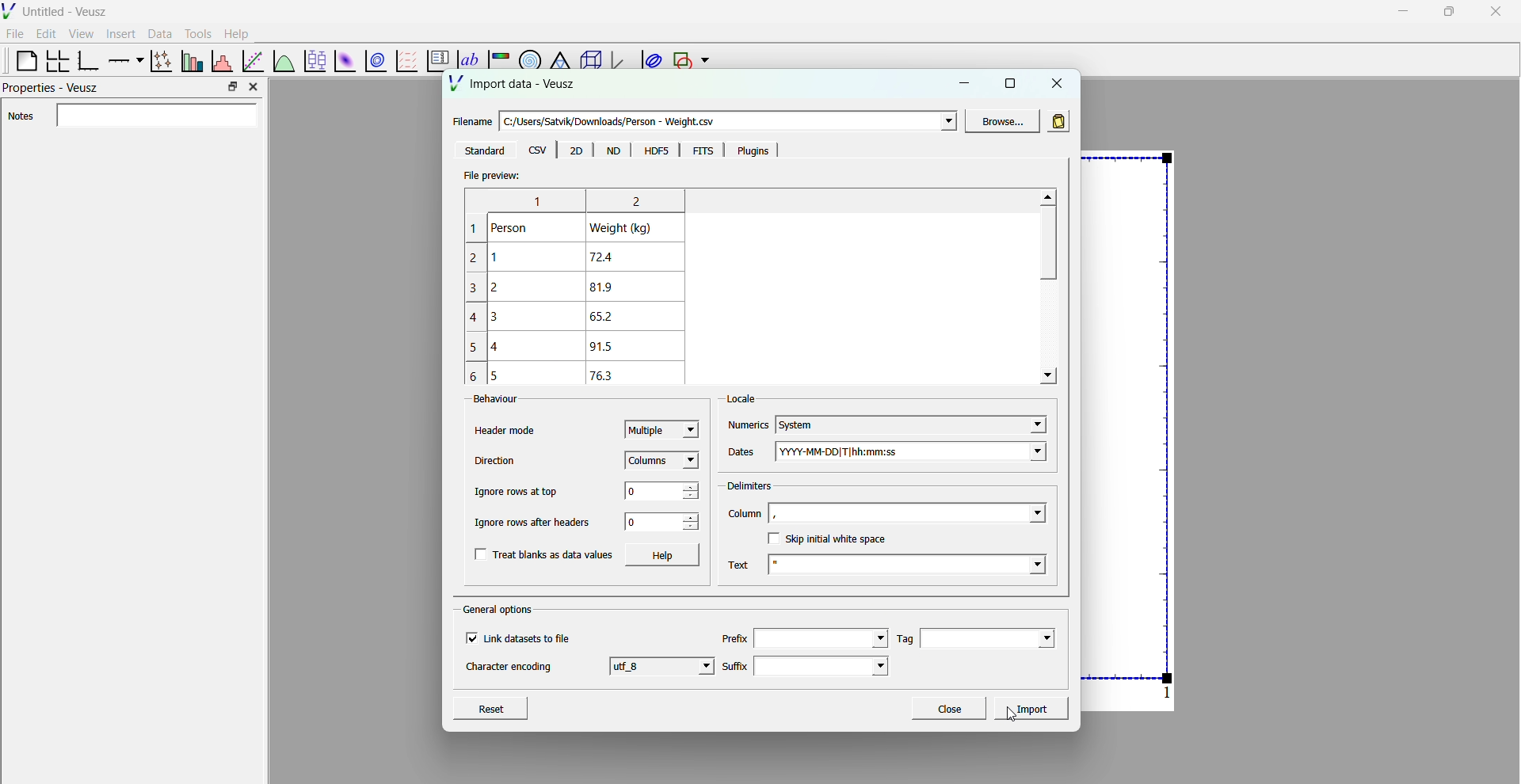 Image resolution: width=1521 pixels, height=784 pixels. I want to click on Data Preview, so click(586, 286).